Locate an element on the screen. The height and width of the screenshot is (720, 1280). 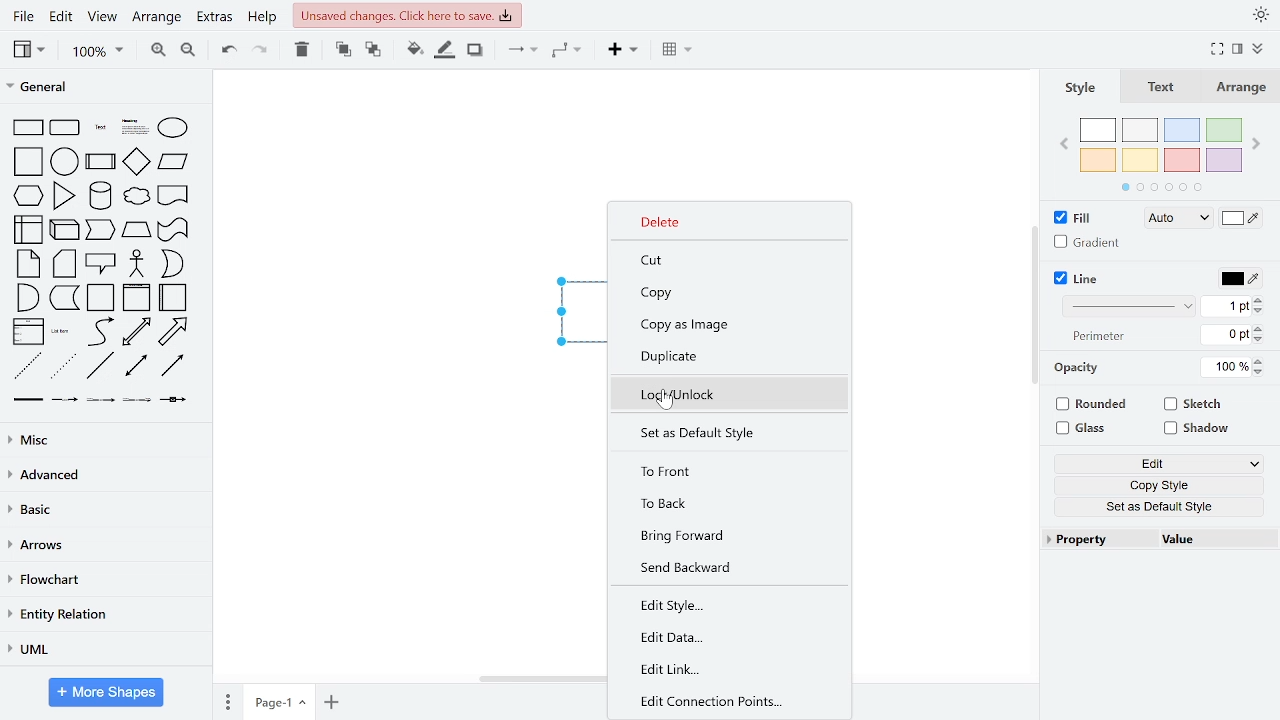
increase perimeter is located at coordinates (1261, 328).